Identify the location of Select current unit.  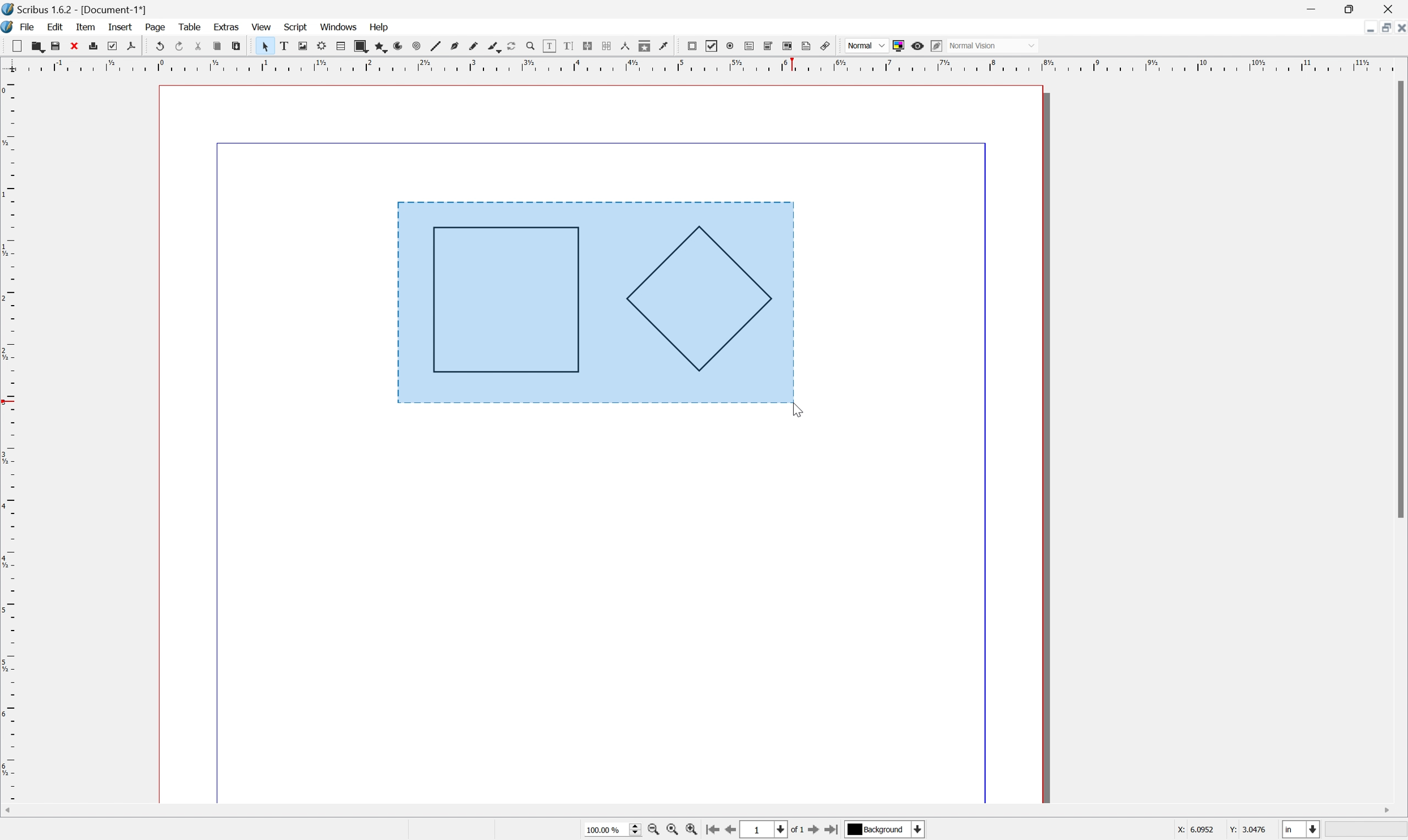
(1301, 830).